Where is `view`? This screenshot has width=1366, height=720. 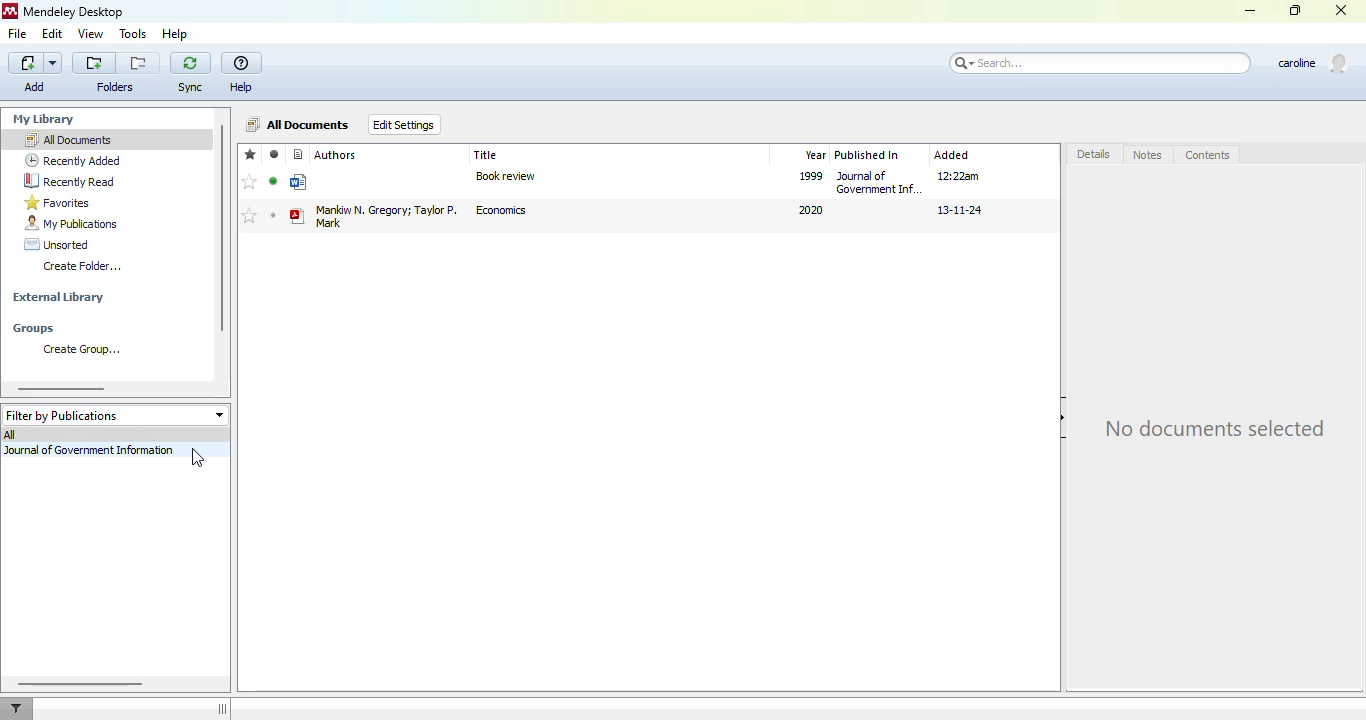 view is located at coordinates (92, 34).